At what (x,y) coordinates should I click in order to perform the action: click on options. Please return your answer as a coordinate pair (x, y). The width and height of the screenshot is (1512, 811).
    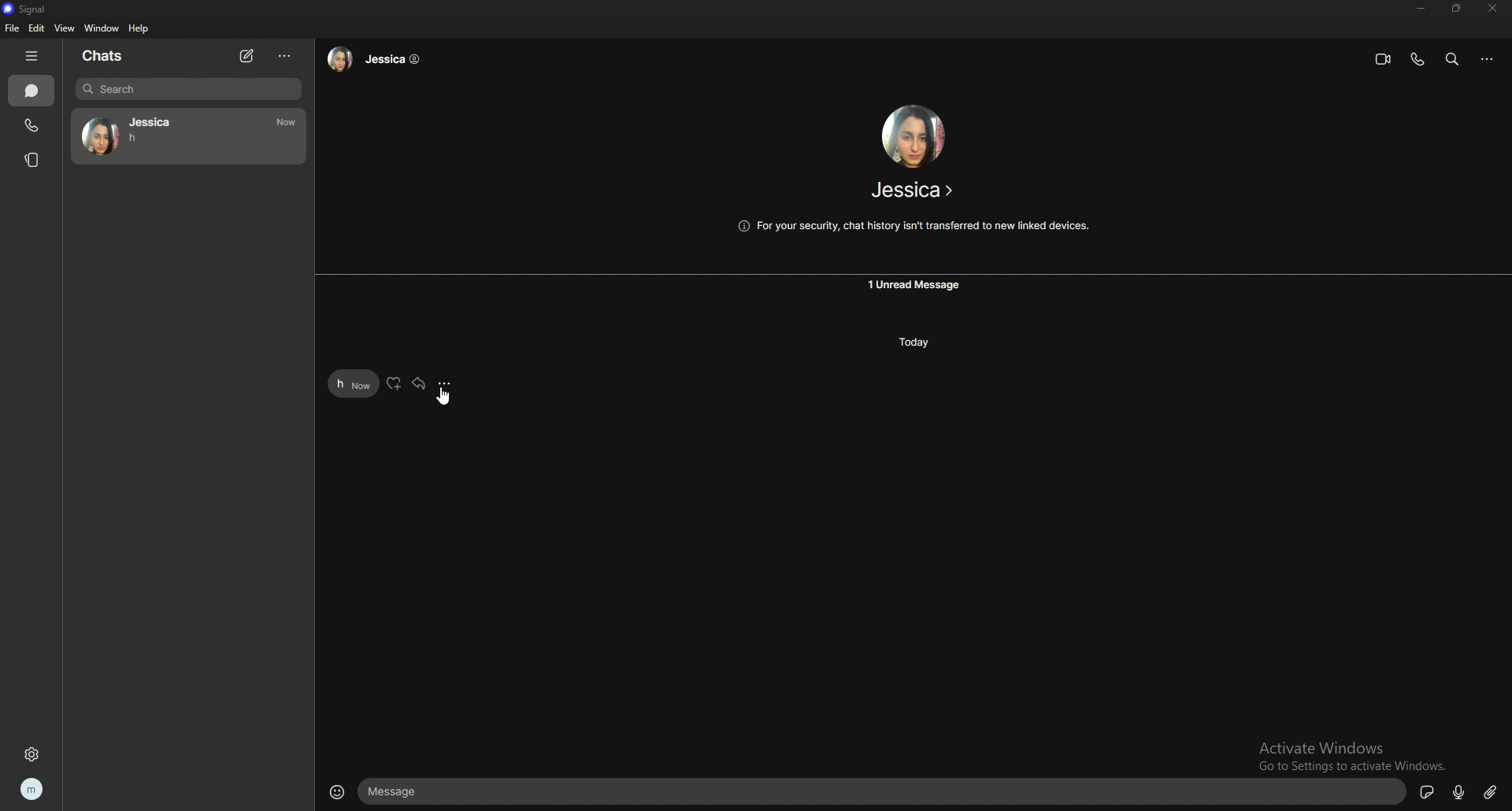
    Looking at the image, I should click on (446, 383).